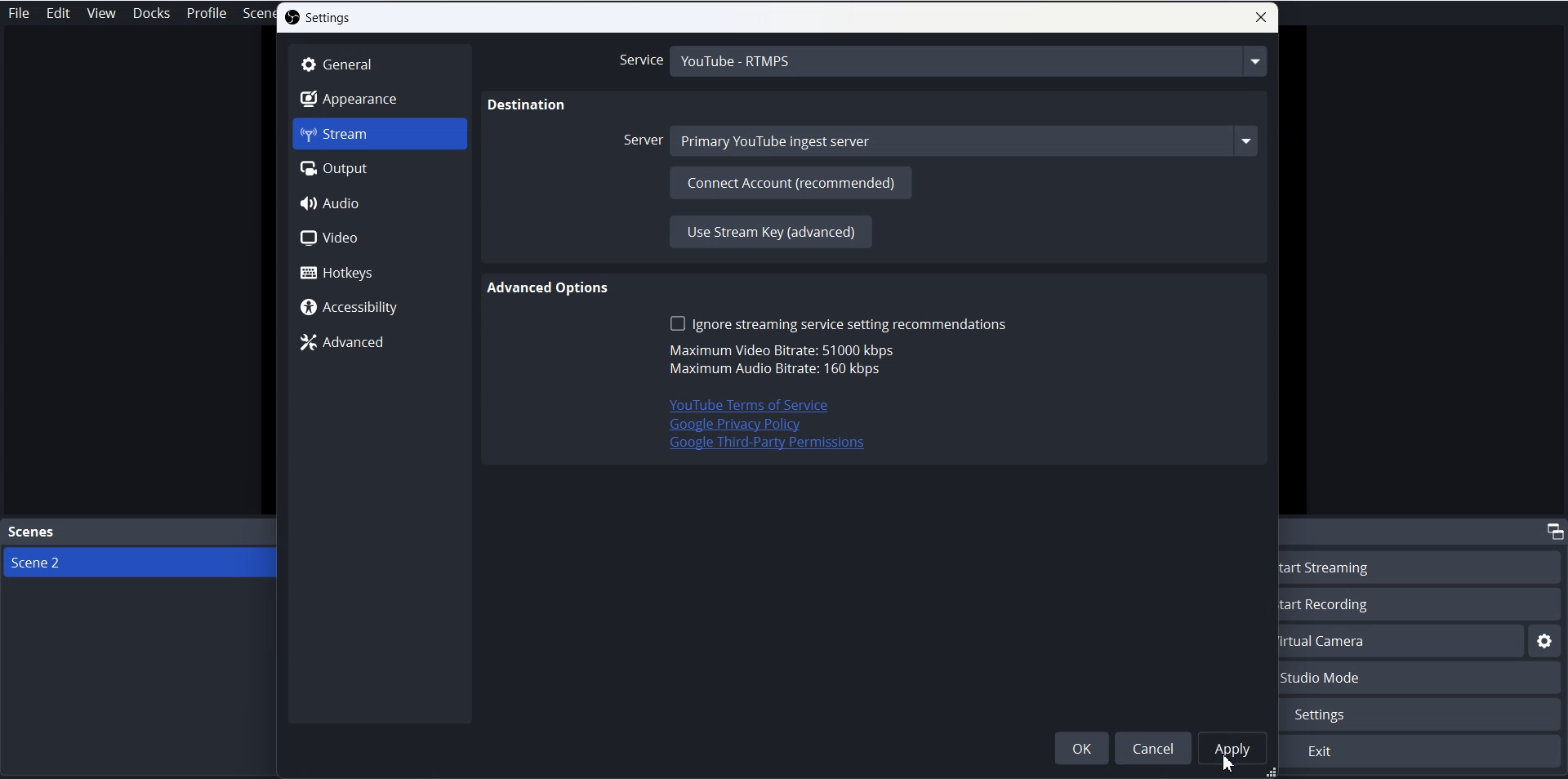 The width and height of the screenshot is (1568, 779). Describe the element at coordinates (1422, 752) in the screenshot. I see `Exit` at that location.